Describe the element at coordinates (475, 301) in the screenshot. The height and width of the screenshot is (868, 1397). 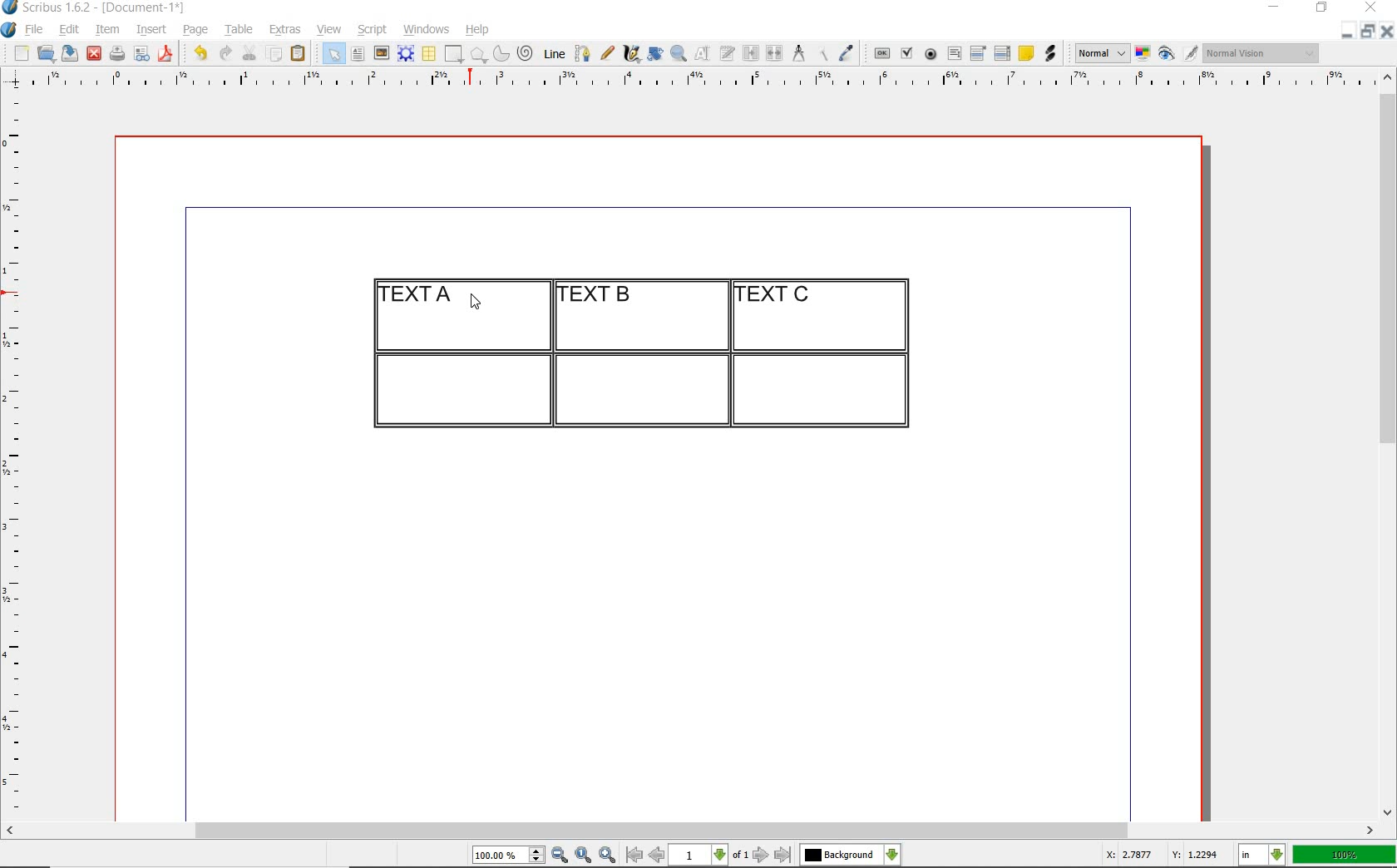
I see `cursor` at that location.